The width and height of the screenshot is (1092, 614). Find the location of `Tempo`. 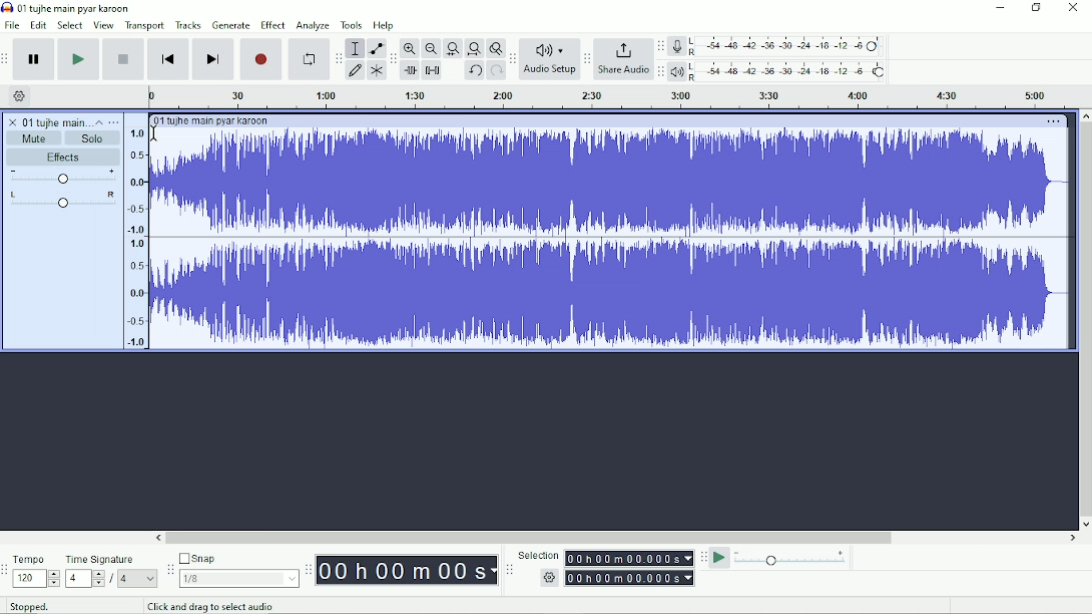

Tempo is located at coordinates (31, 558).